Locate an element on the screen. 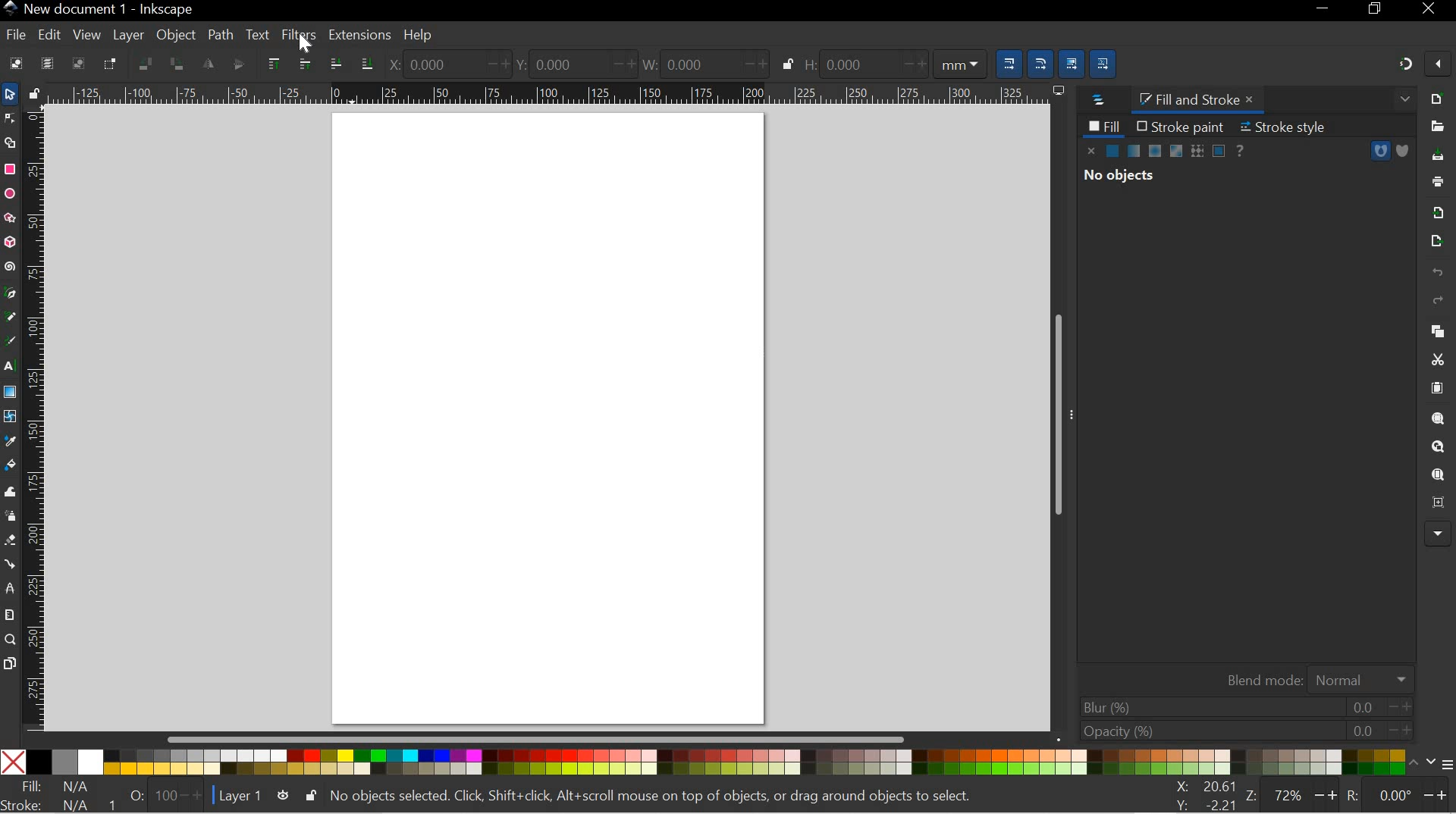  RAISE SELECTION TO TOP is located at coordinates (274, 64).